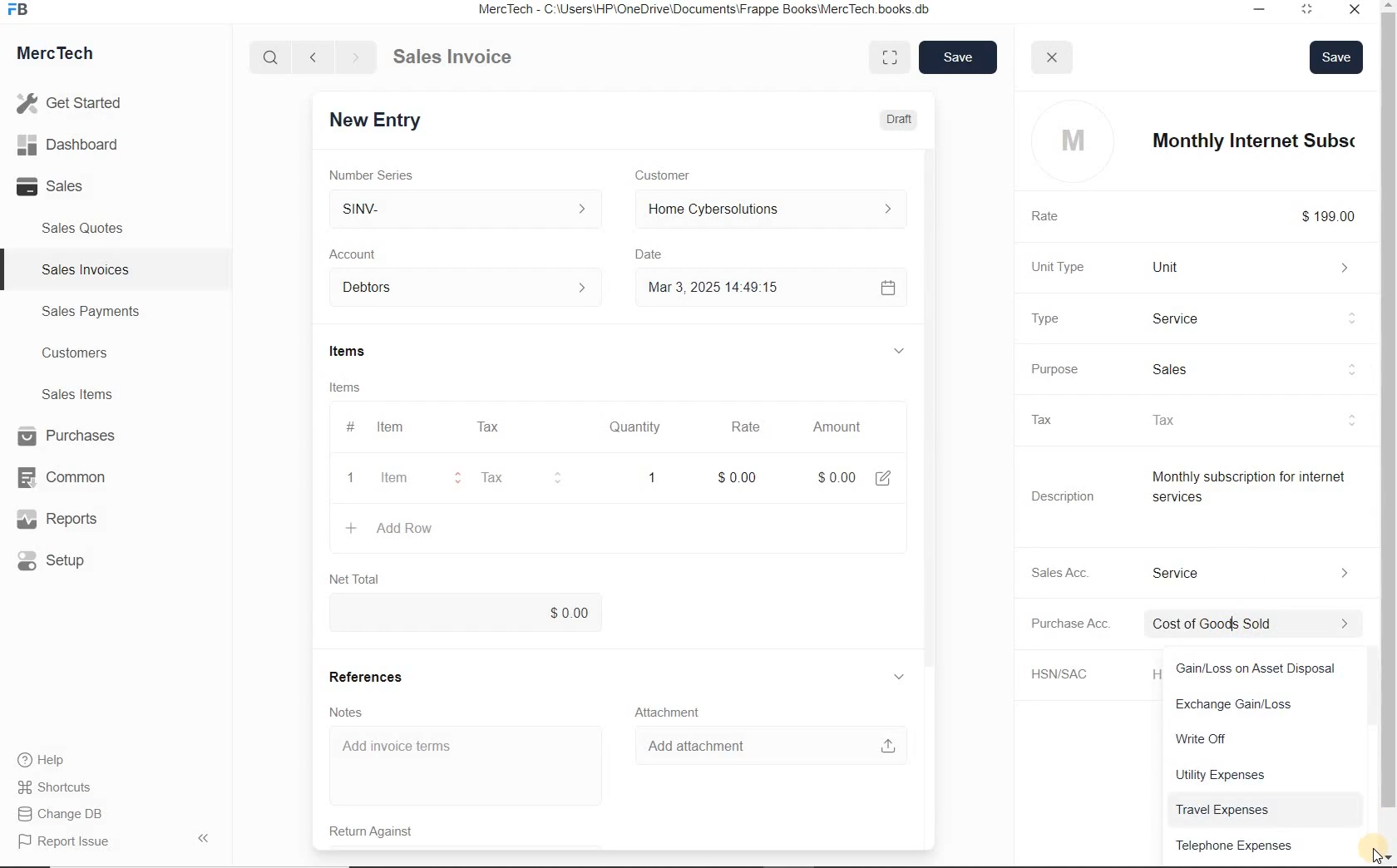 This screenshot has width=1397, height=868. I want to click on New Entry, so click(389, 119).